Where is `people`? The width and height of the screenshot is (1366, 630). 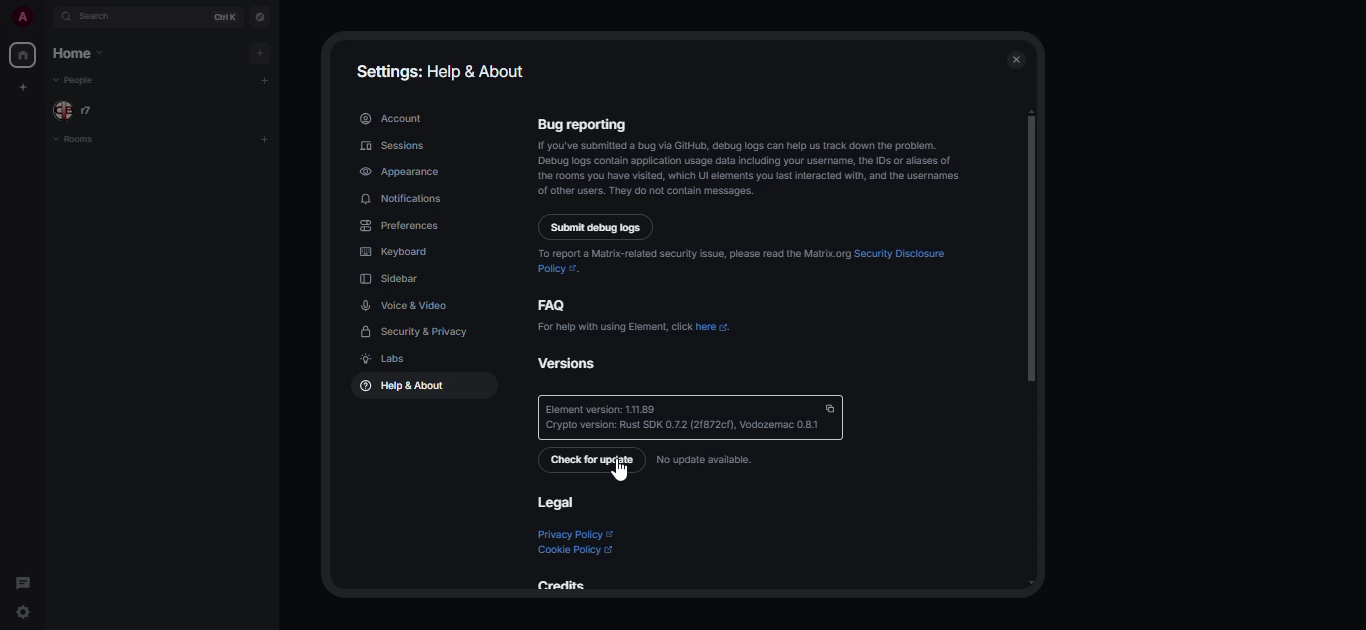
people is located at coordinates (76, 80).